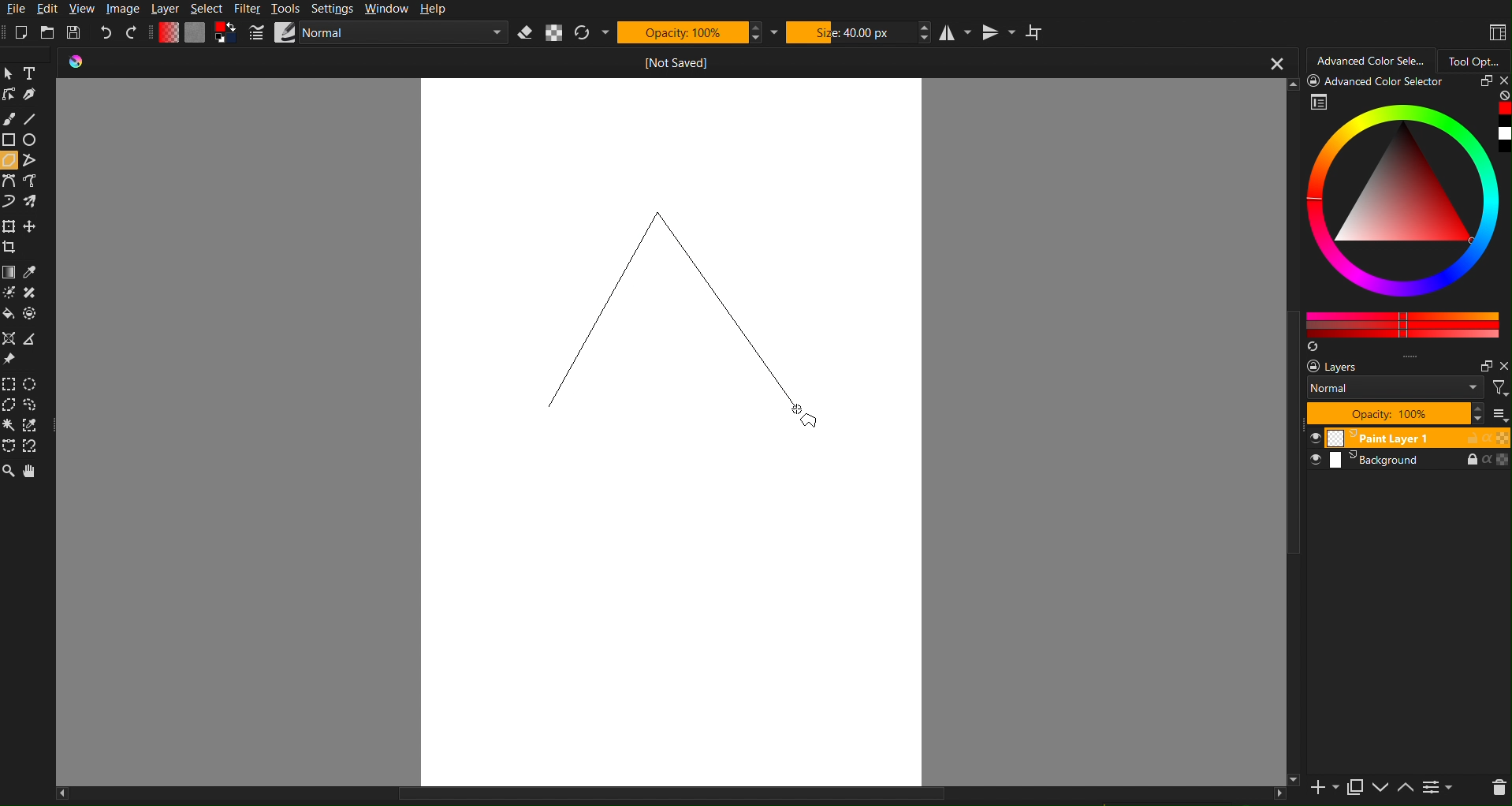  What do you see at coordinates (681, 33) in the screenshot?
I see `Opacity: 100%` at bounding box center [681, 33].